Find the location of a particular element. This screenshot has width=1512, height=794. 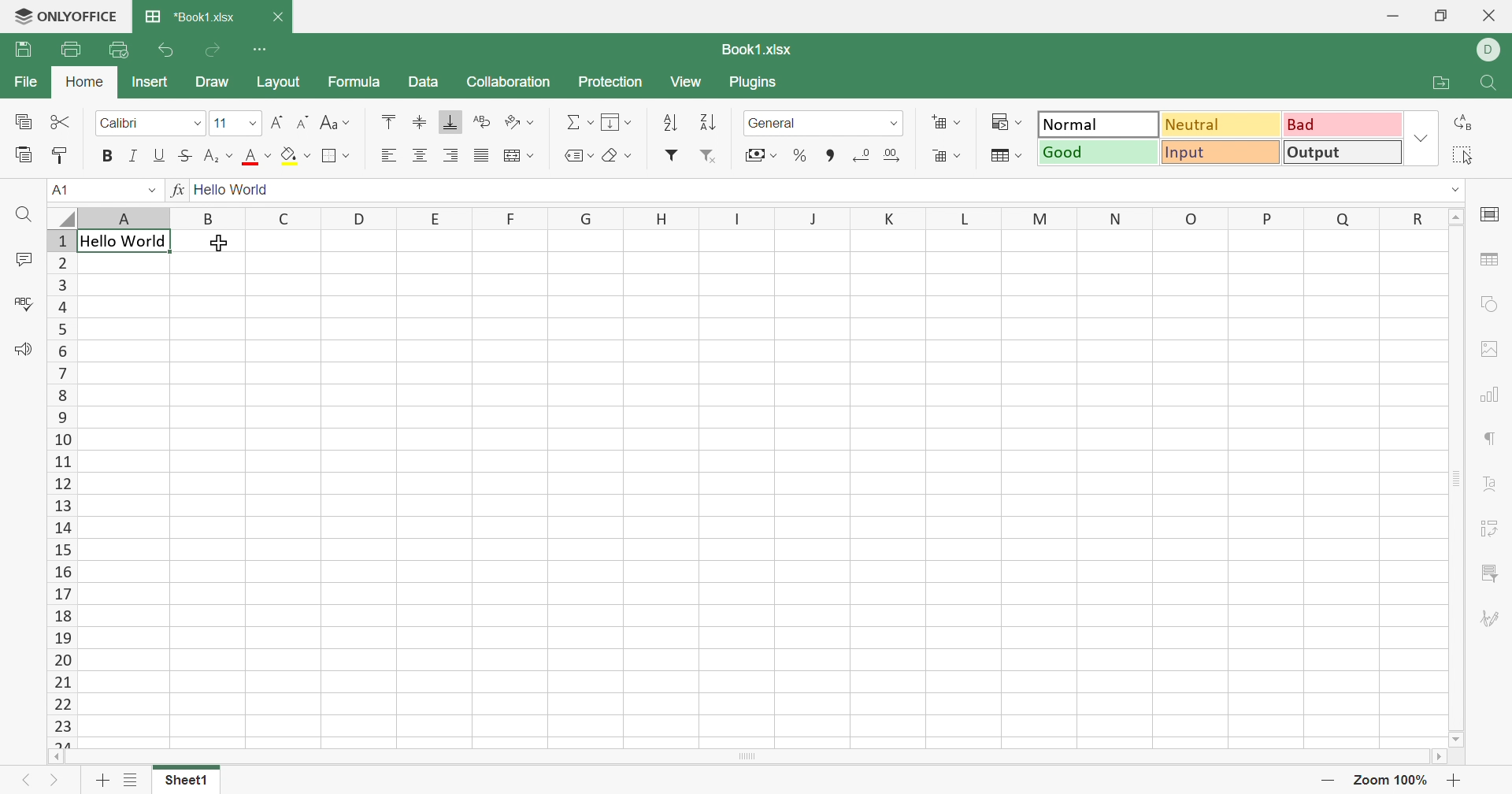

Scroll bar is located at coordinates (744, 757).